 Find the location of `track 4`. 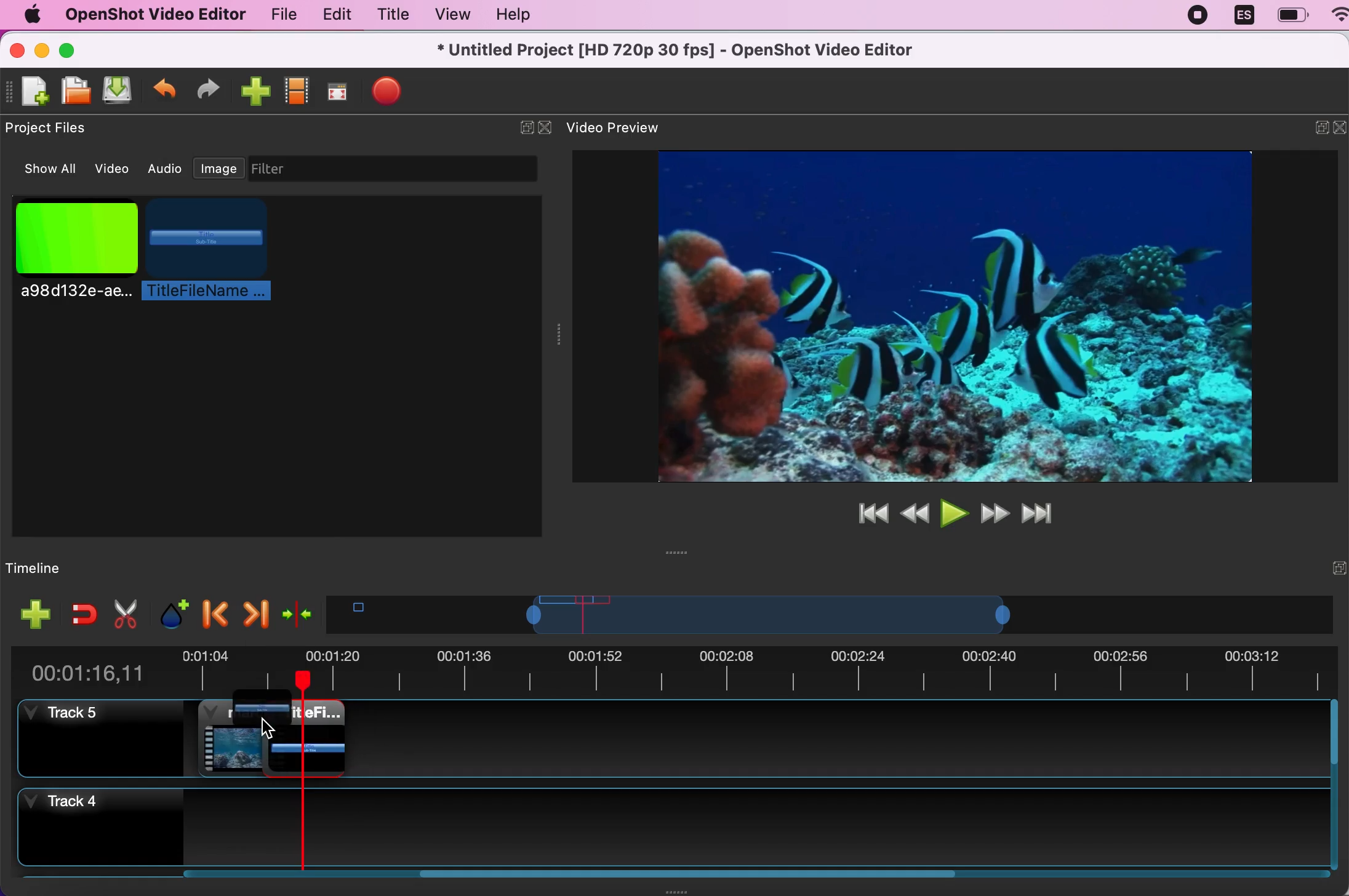

track 4 is located at coordinates (673, 830).